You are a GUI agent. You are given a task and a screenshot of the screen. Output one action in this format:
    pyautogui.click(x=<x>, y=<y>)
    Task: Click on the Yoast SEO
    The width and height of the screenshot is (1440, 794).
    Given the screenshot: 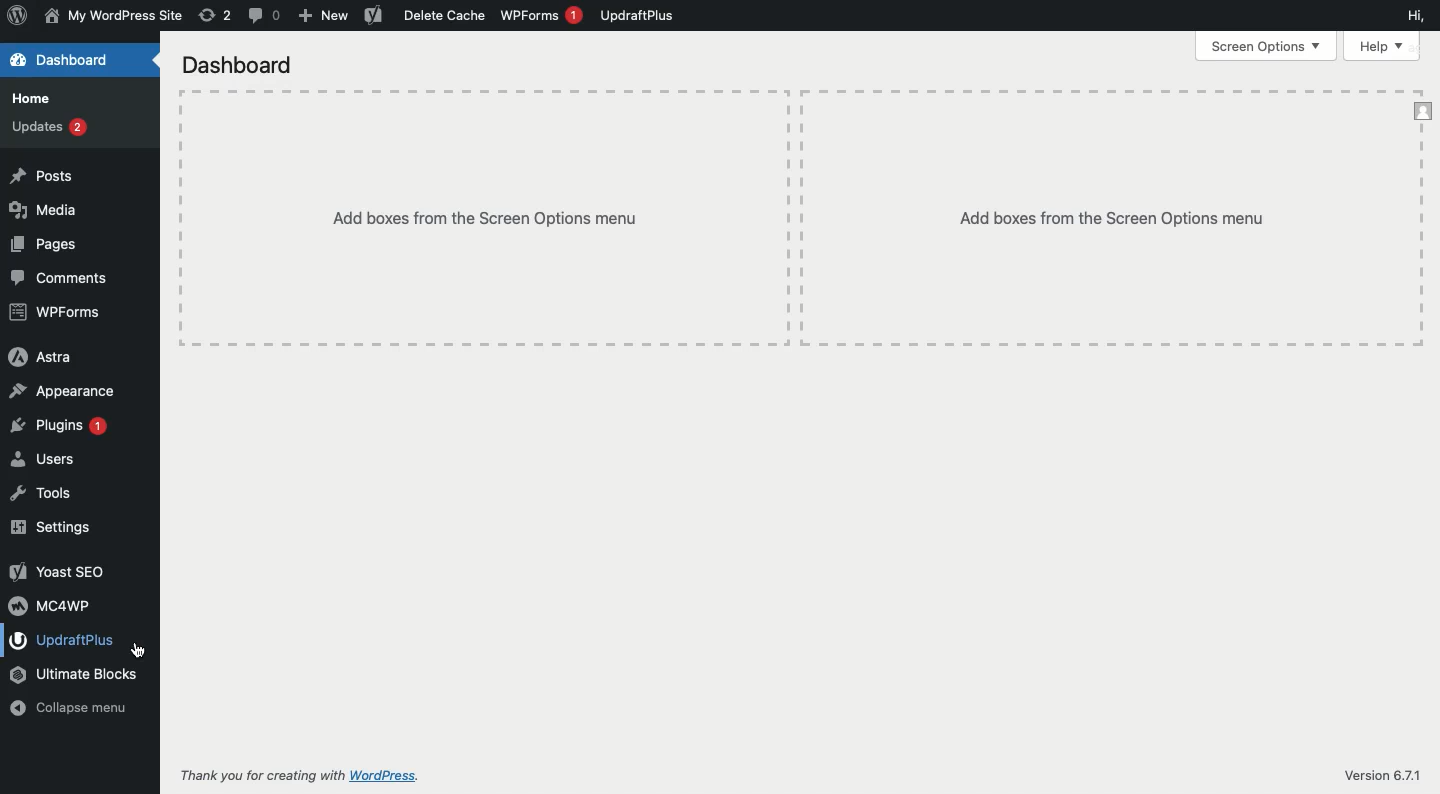 What is the action you would take?
    pyautogui.click(x=57, y=572)
    